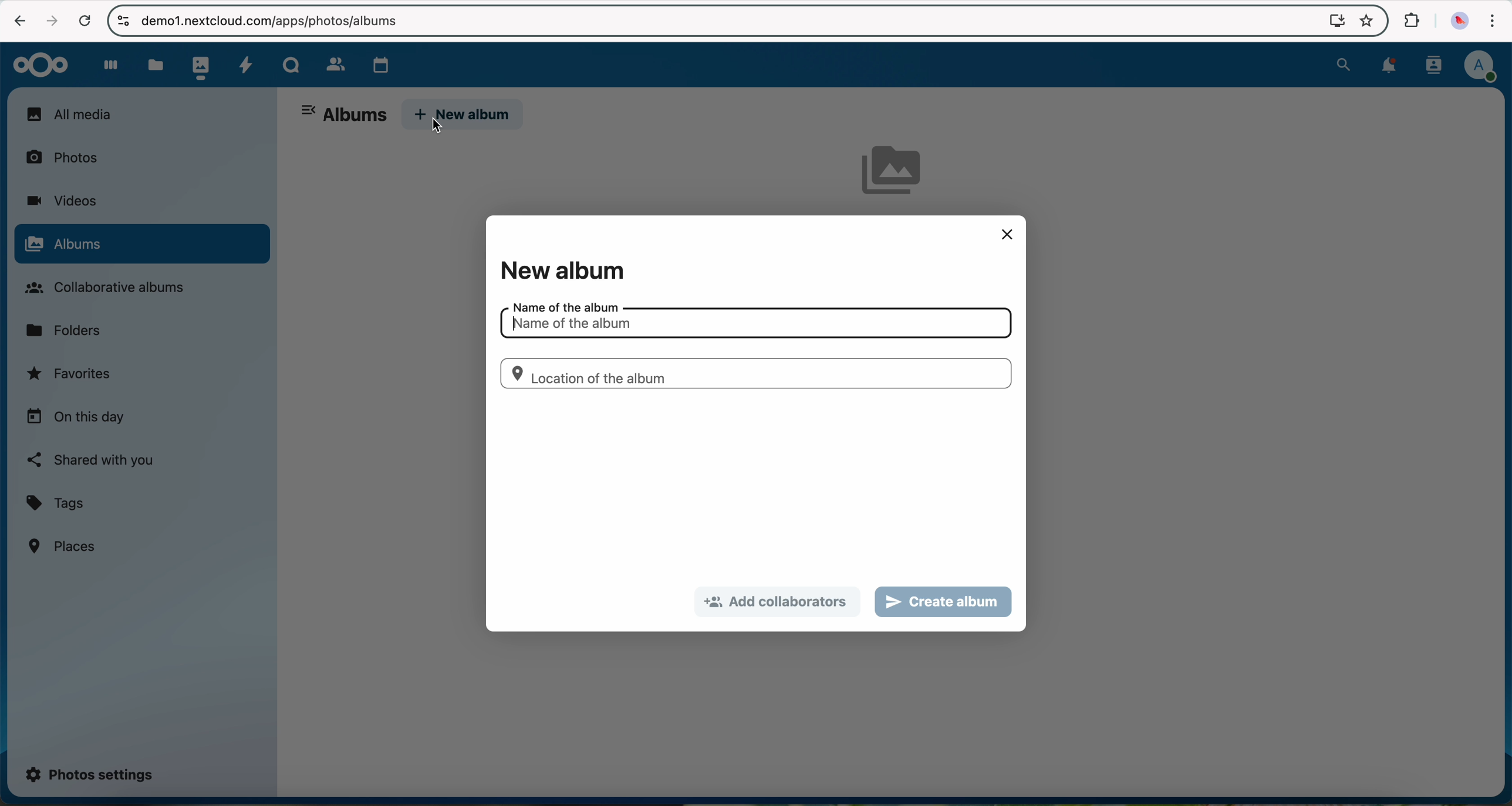 This screenshot has height=806, width=1512. What do you see at coordinates (68, 329) in the screenshot?
I see `folders` at bounding box center [68, 329].